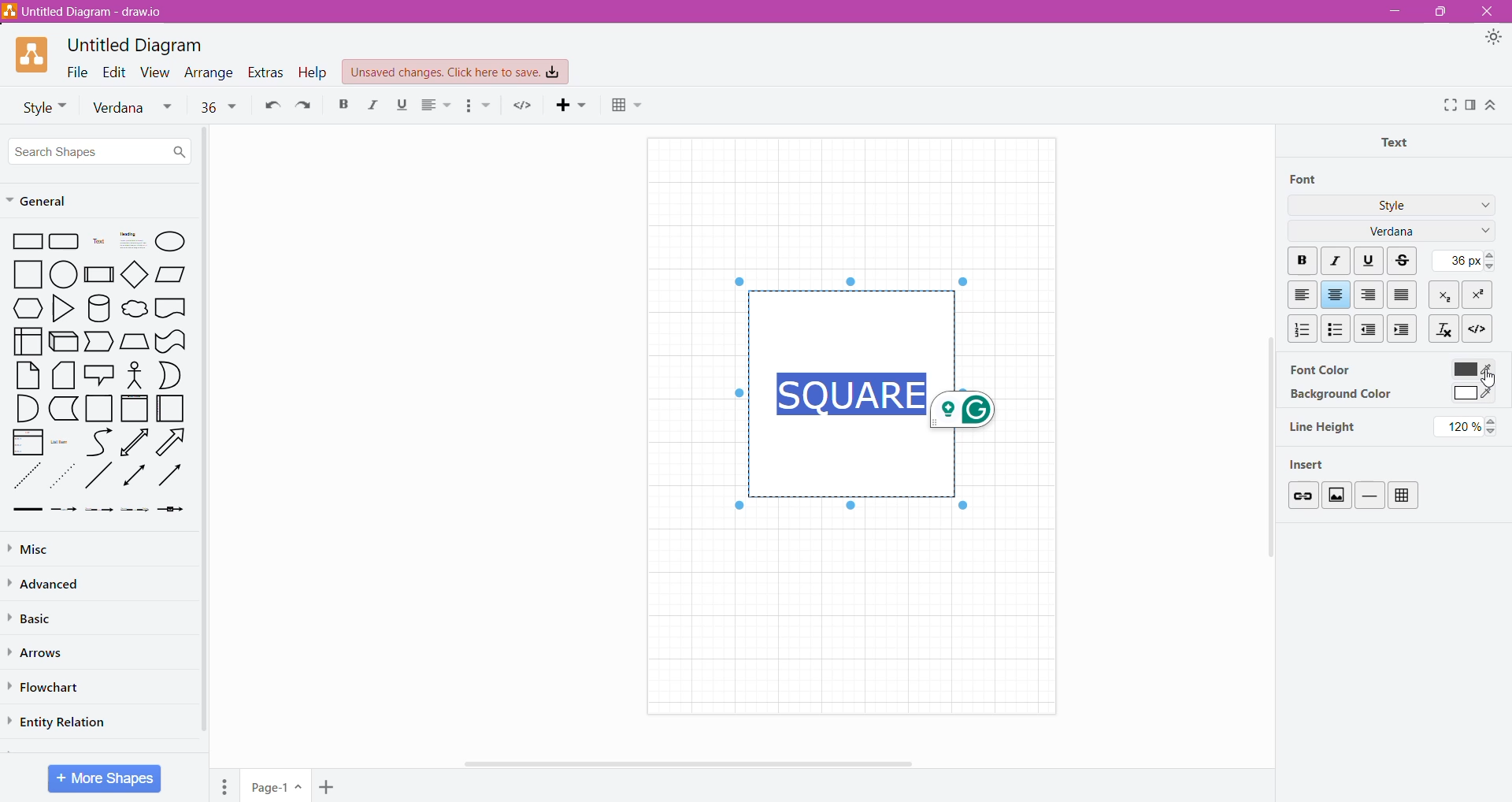 The height and width of the screenshot is (802, 1512). Describe the element at coordinates (1302, 262) in the screenshot. I see `Bold` at that location.